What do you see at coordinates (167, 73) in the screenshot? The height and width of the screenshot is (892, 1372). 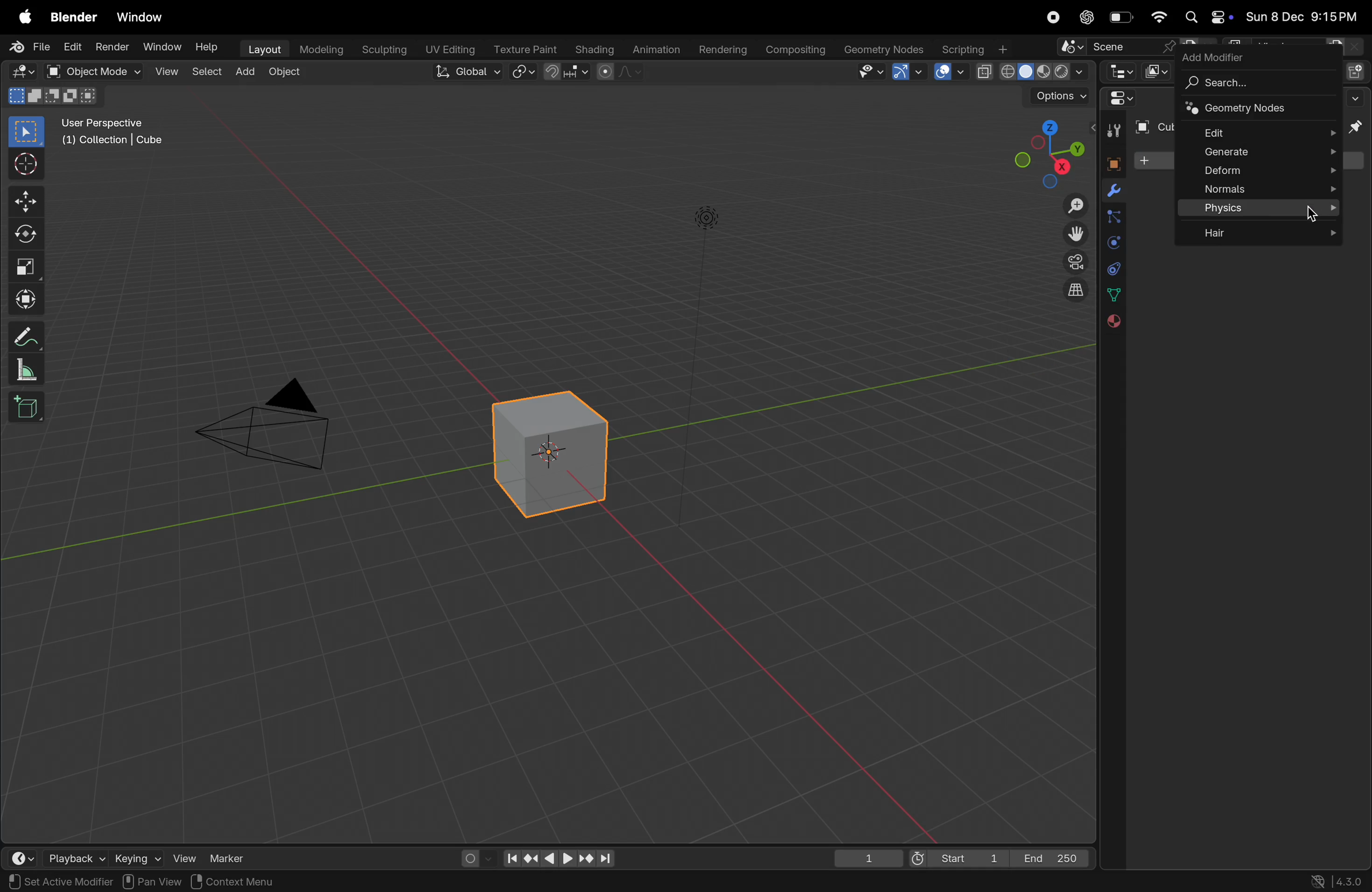 I see `view` at bounding box center [167, 73].